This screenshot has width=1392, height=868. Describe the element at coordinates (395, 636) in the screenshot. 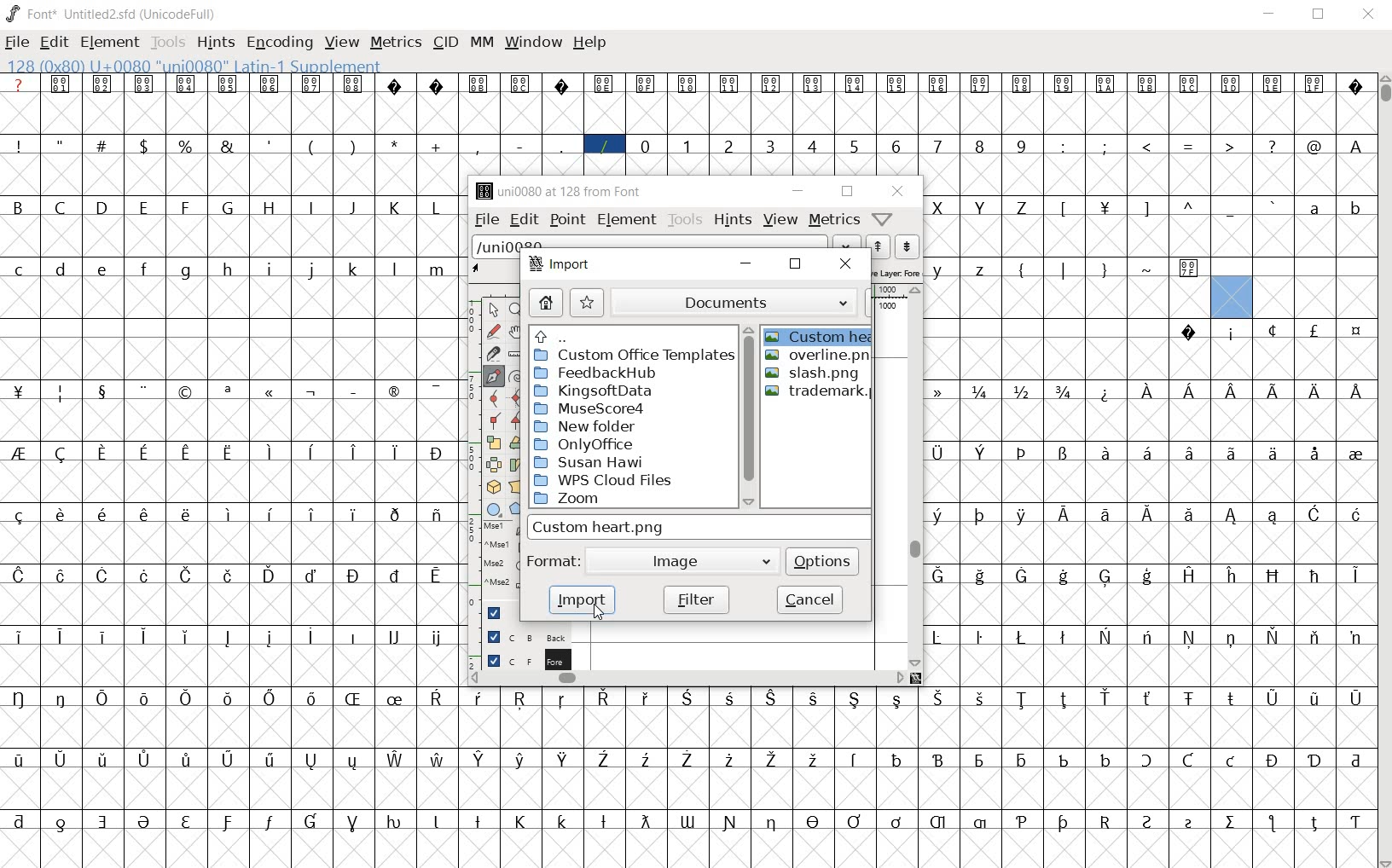

I see `glyph` at that location.